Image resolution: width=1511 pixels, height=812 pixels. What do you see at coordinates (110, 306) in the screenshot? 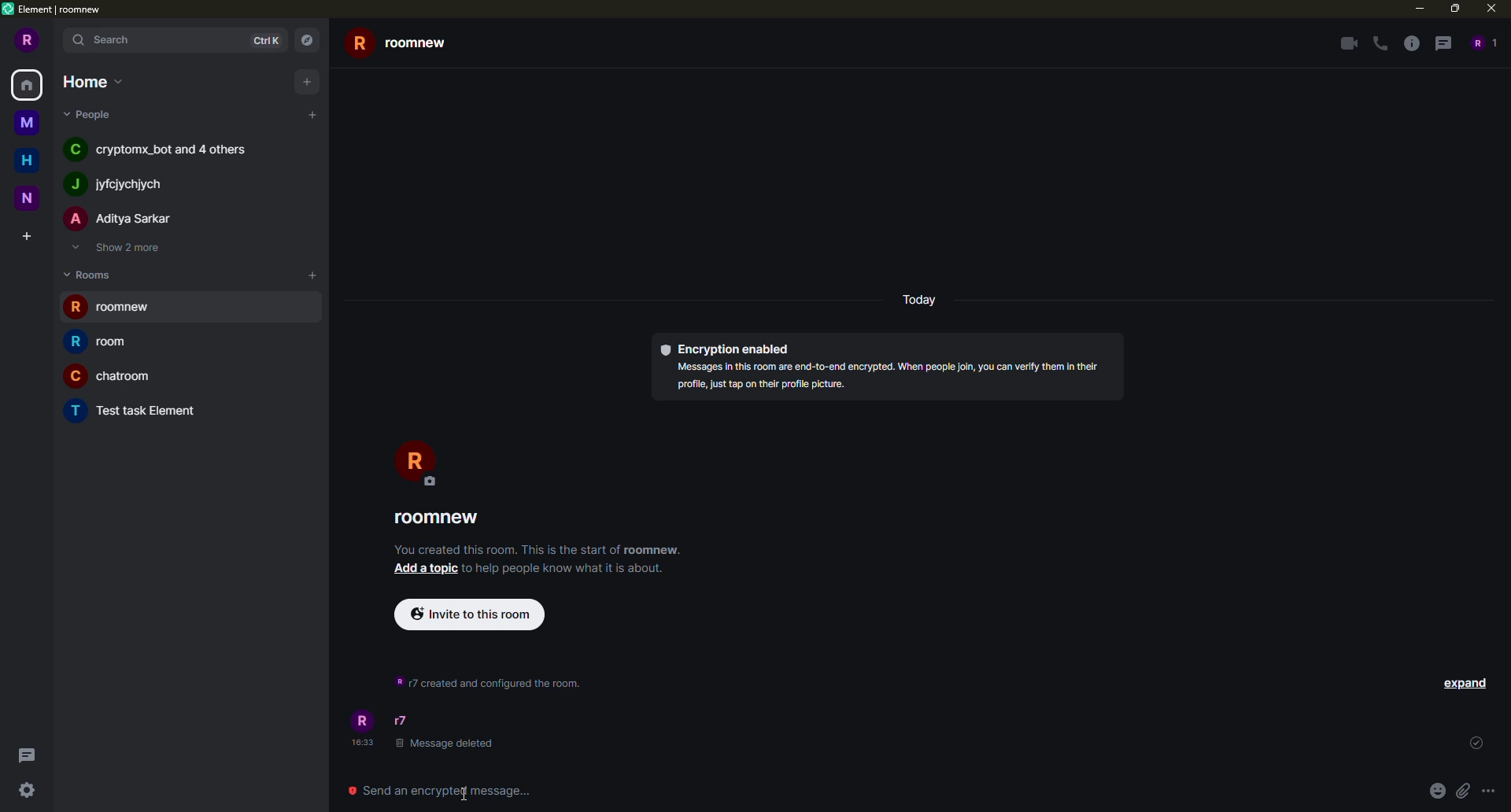
I see `room` at bounding box center [110, 306].